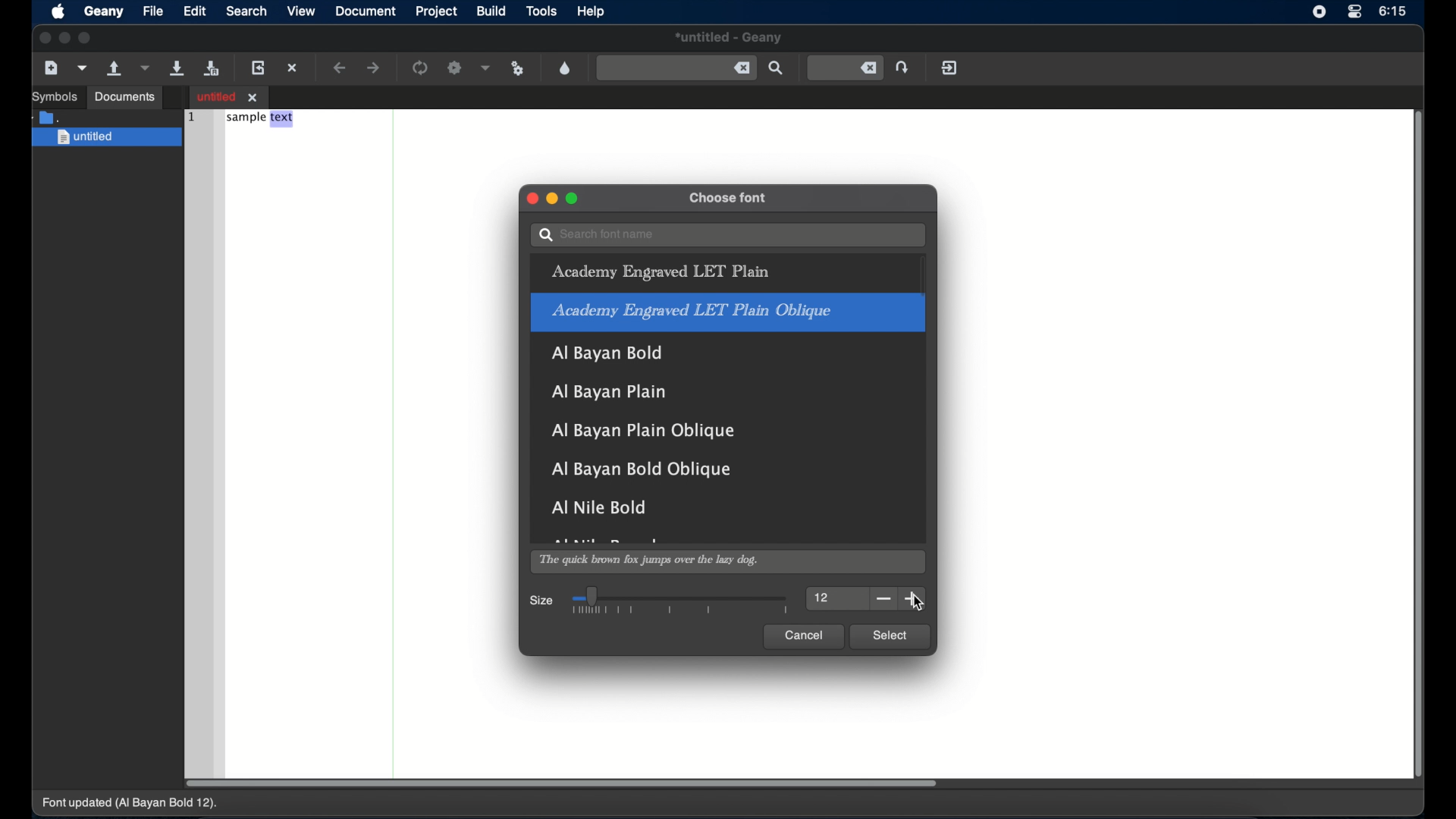 The height and width of the screenshot is (819, 1456). Describe the element at coordinates (190, 115) in the screenshot. I see `1` at that location.